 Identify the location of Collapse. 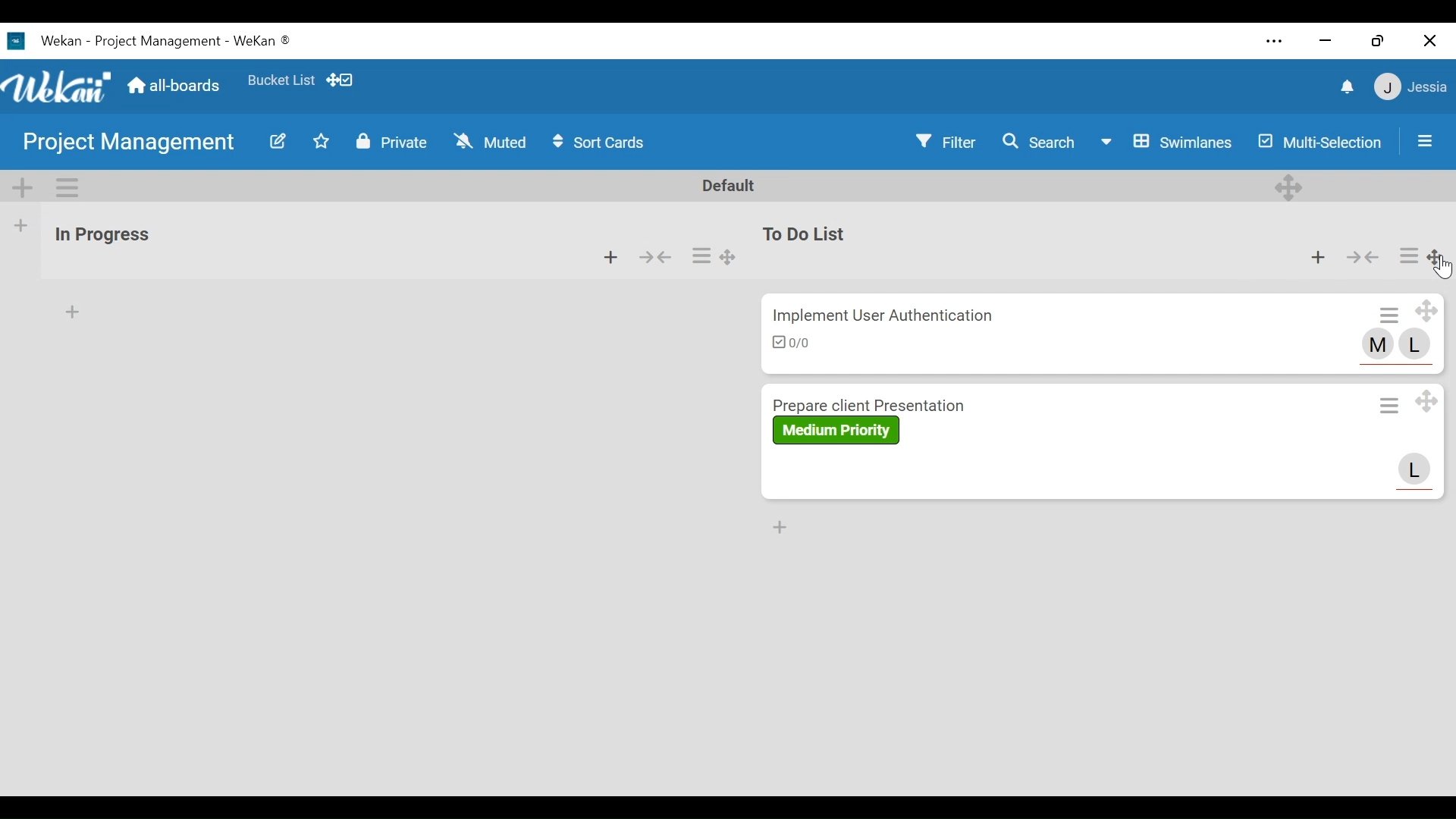
(657, 256).